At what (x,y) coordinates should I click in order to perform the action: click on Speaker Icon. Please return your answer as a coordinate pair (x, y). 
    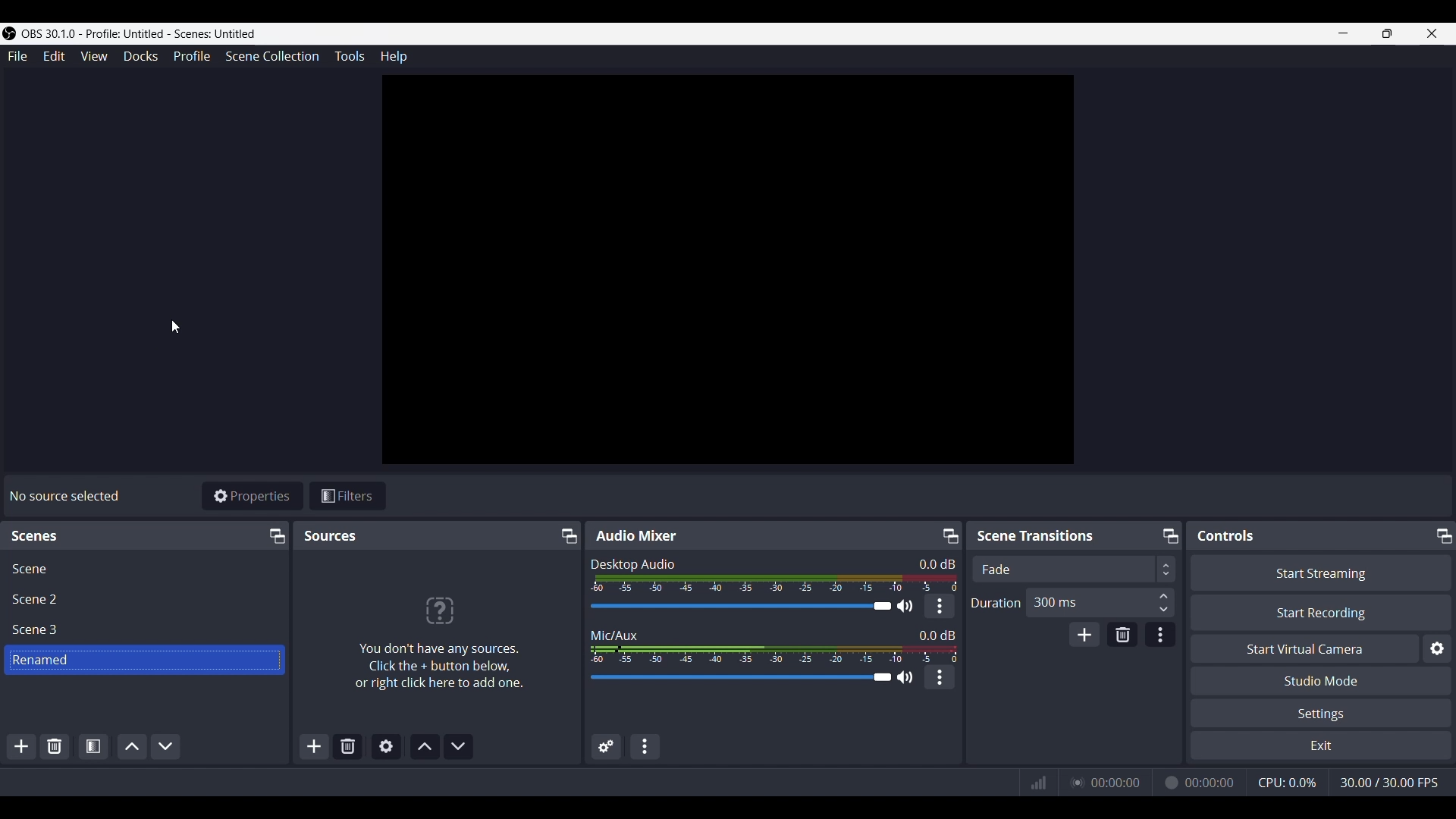
    Looking at the image, I should click on (905, 676).